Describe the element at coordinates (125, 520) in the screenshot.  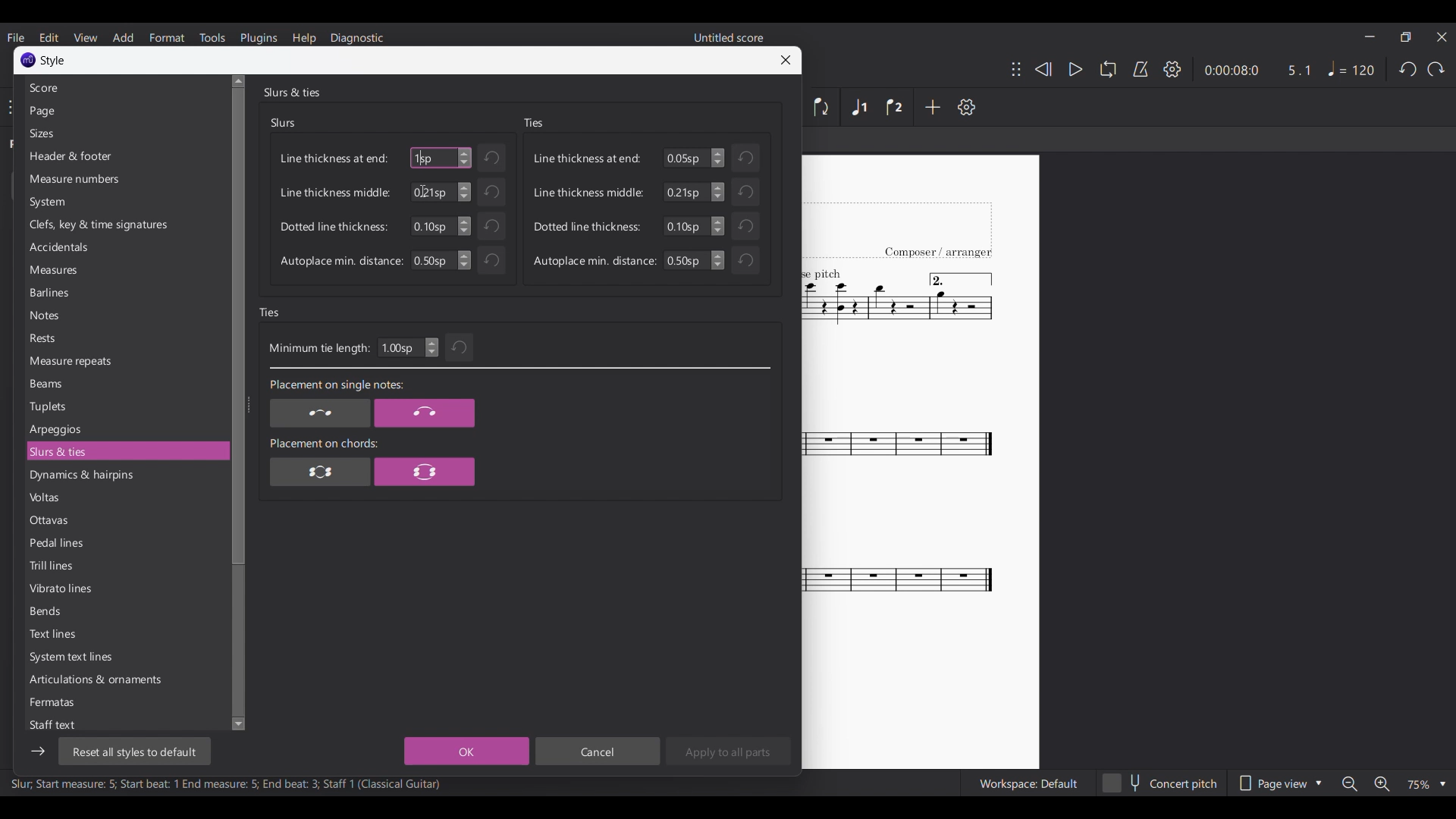
I see `Ottavas` at that location.